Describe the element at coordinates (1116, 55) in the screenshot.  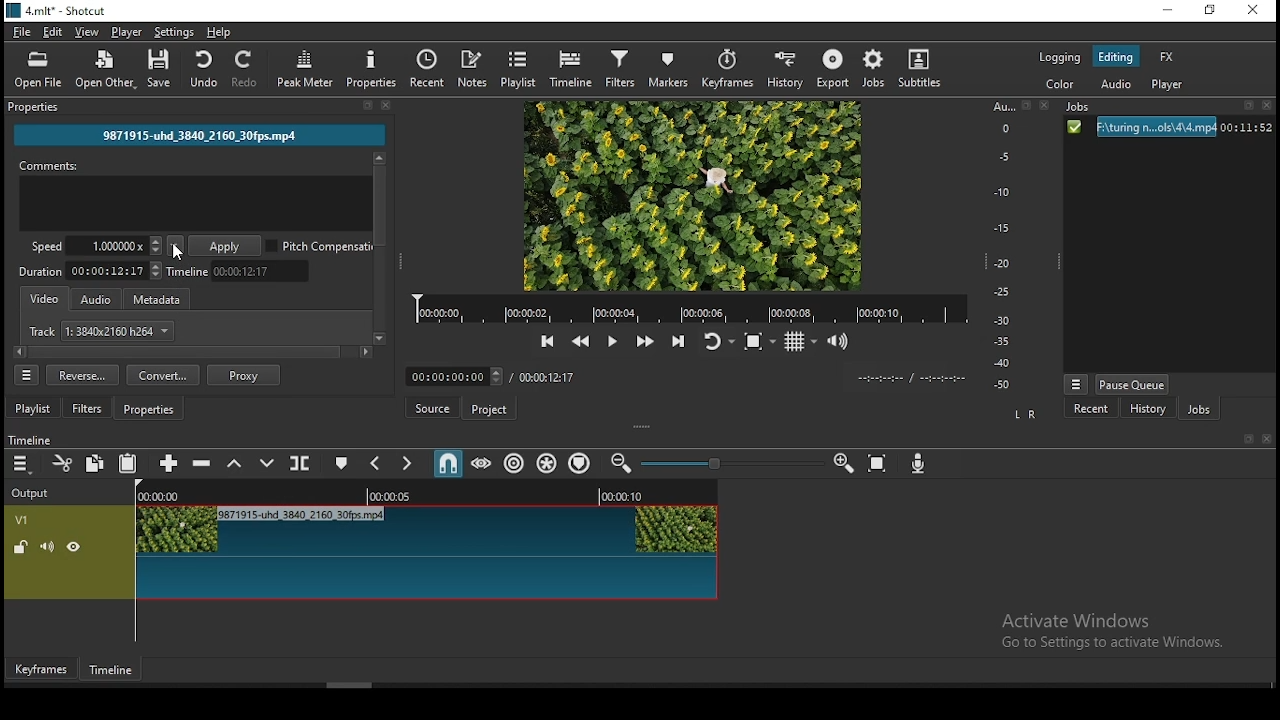
I see `editing` at that location.